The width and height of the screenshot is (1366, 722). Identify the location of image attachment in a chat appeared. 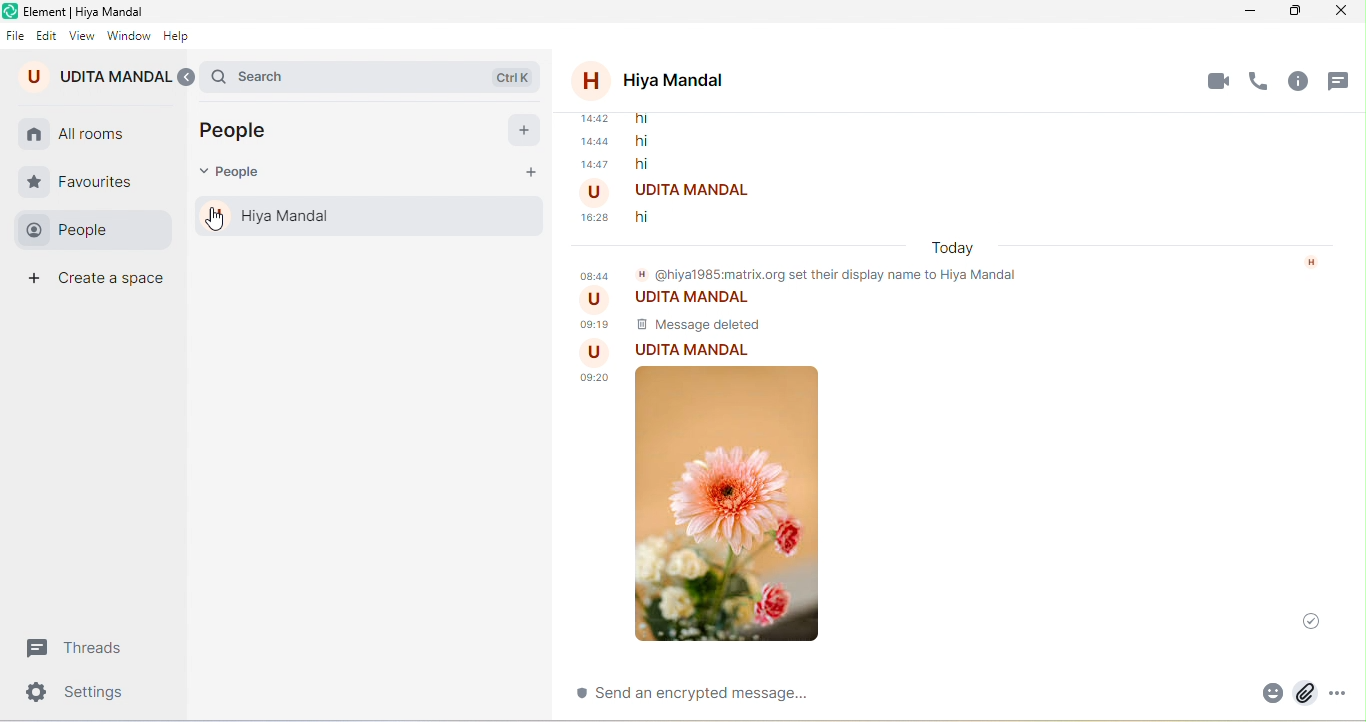
(772, 513).